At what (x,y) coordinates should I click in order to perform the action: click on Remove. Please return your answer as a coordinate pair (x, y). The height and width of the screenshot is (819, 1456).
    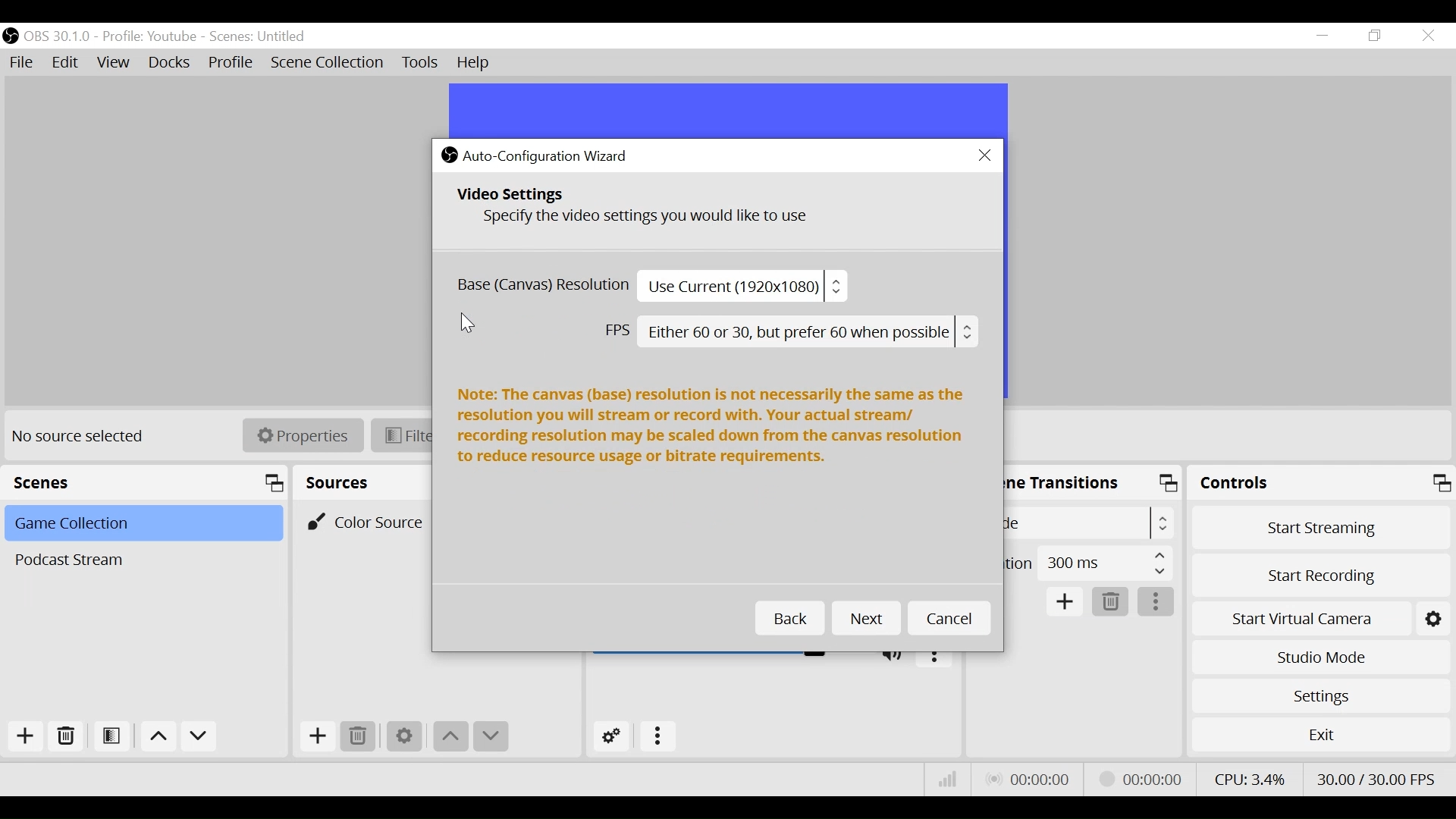
    Looking at the image, I should click on (360, 737).